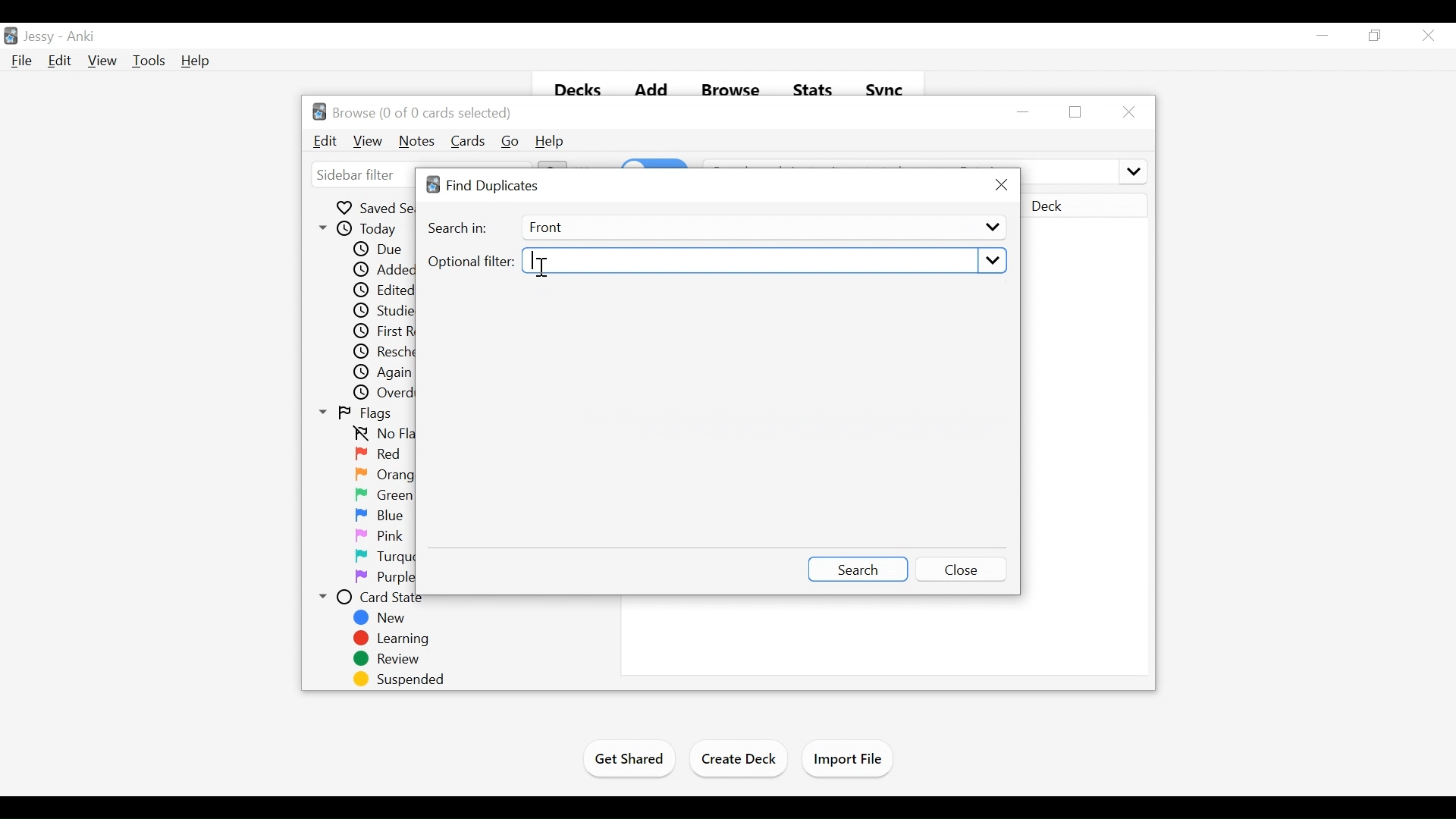 The width and height of the screenshot is (1456, 819). What do you see at coordinates (459, 229) in the screenshot?
I see `Search In` at bounding box center [459, 229].